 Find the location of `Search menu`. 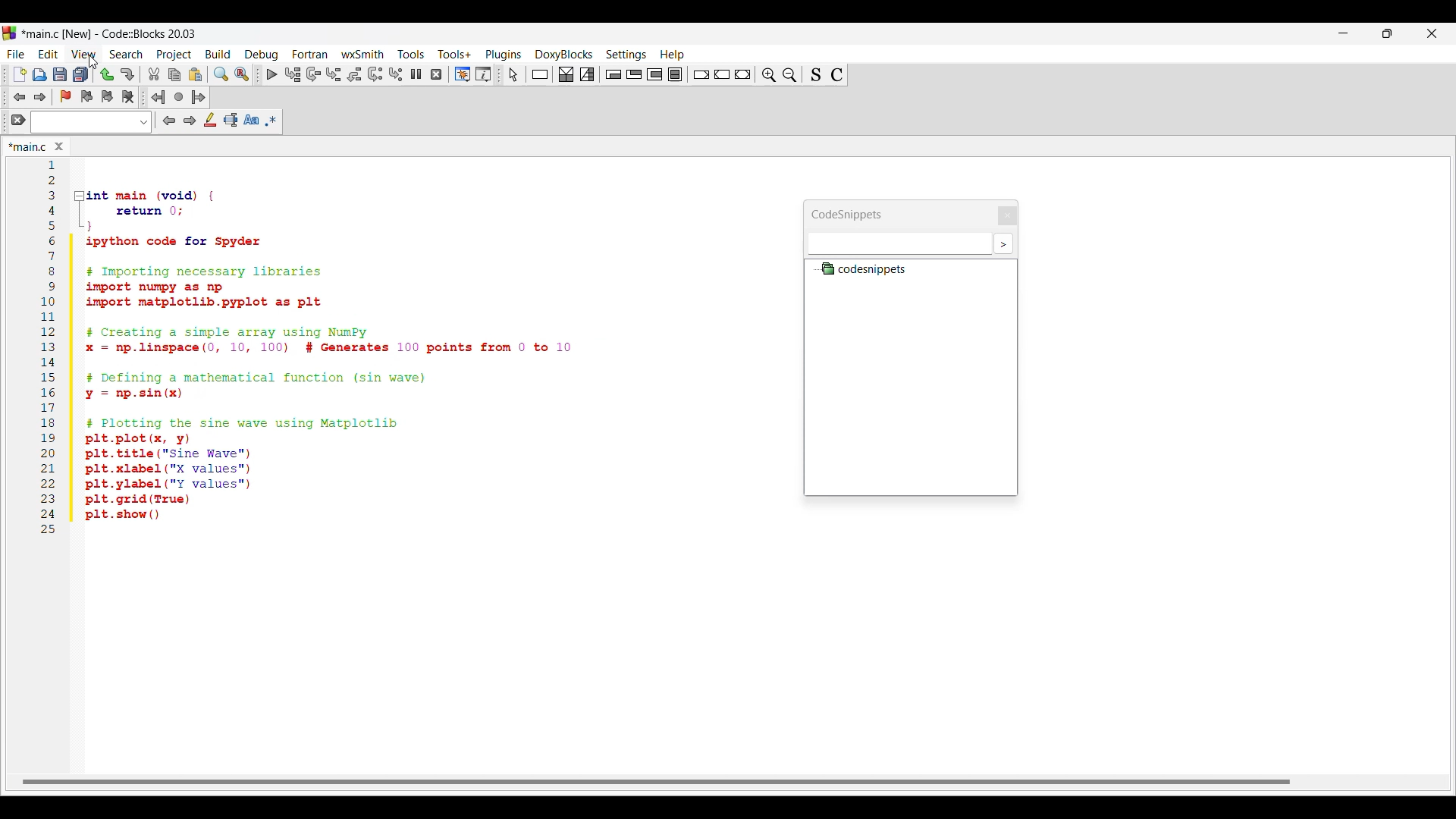

Search menu is located at coordinates (127, 55).